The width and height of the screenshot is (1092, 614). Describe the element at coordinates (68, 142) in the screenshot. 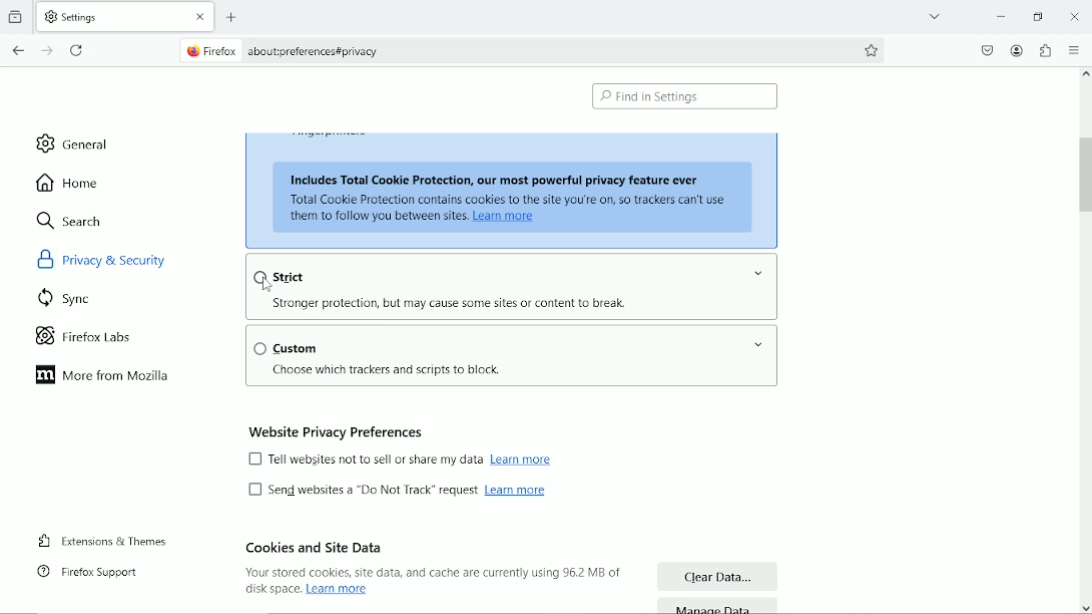

I see `general` at that location.